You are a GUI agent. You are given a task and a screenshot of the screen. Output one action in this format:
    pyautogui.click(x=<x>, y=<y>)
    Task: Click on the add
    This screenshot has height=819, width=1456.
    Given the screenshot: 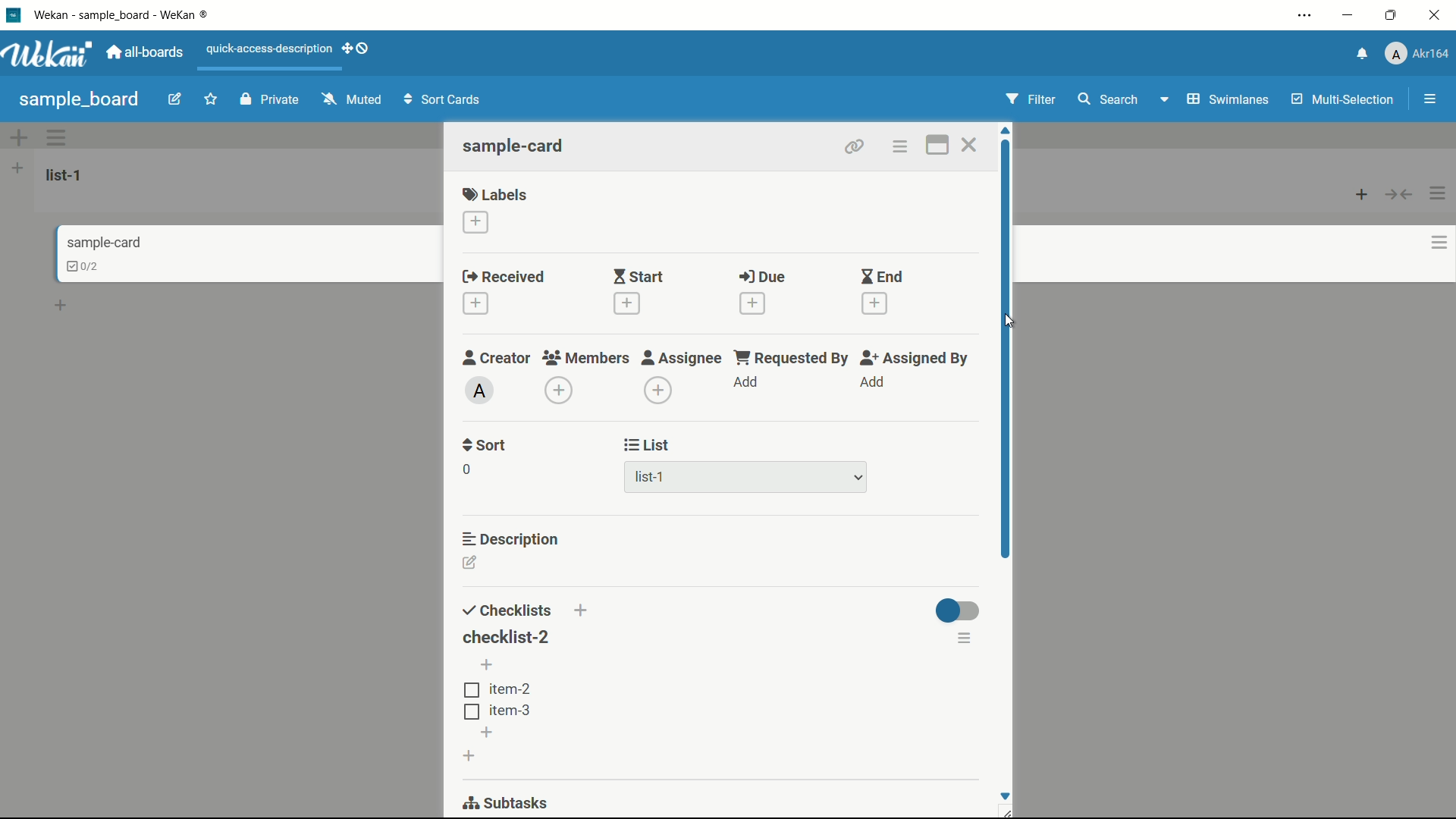 What is the action you would take?
    pyautogui.click(x=63, y=303)
    